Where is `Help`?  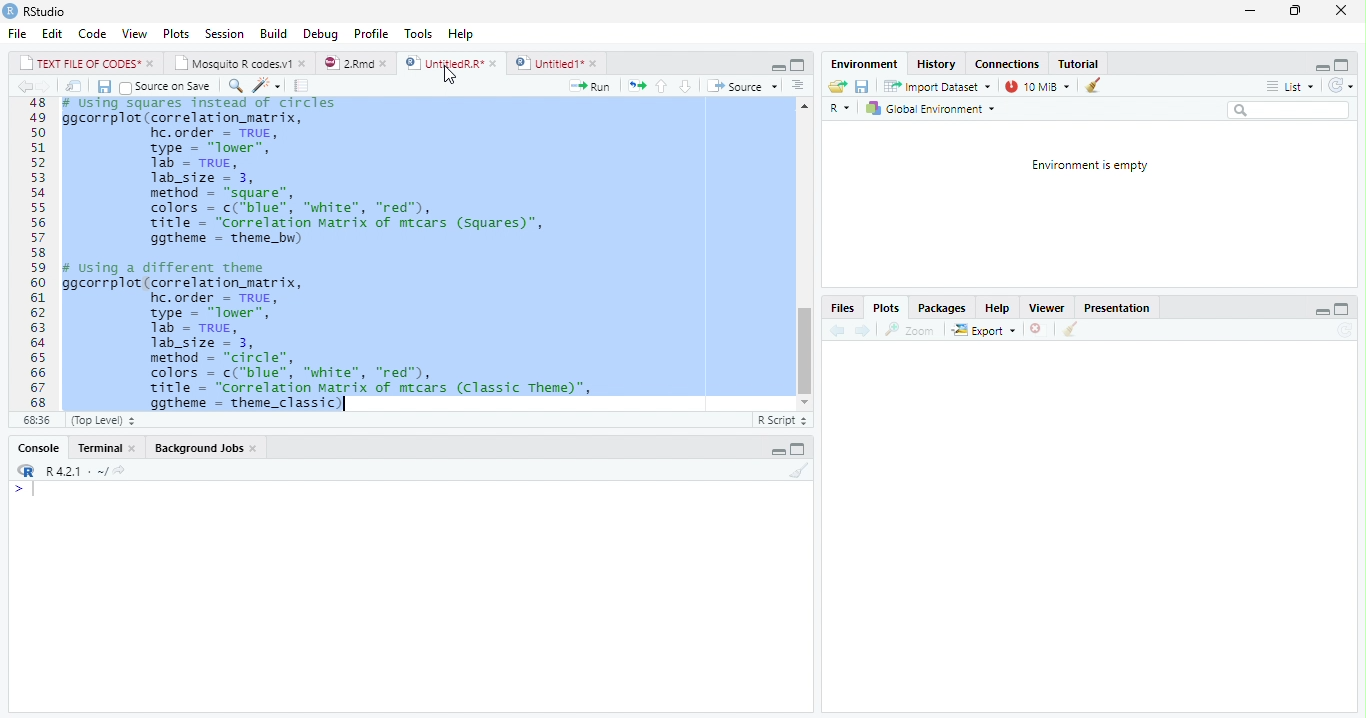
Help is located at coordinates (461, 32).